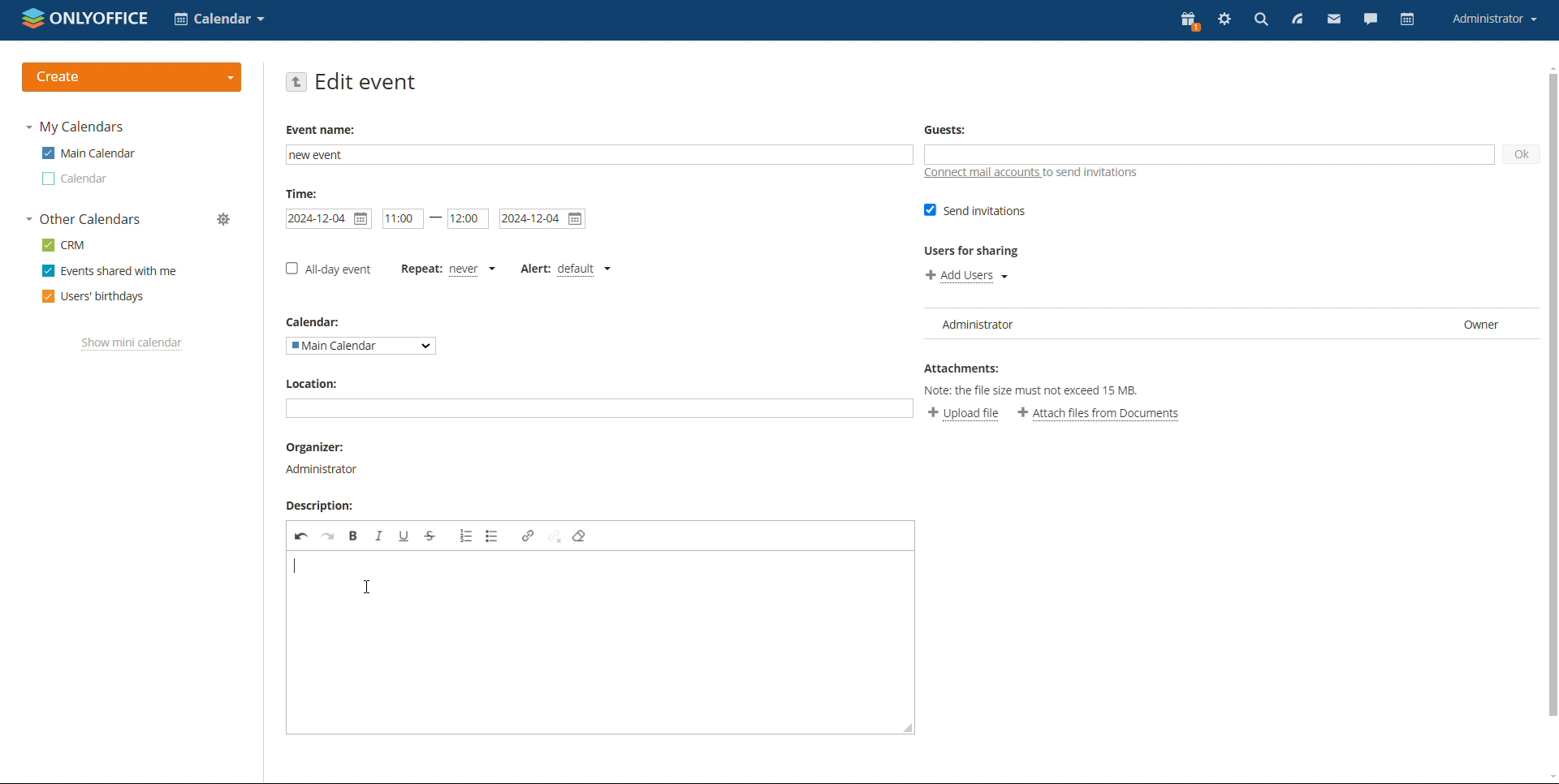 The height and width of the screenshot is (784, 1559). What do you see at coordinates (1549, 776) in the screenshot?
I see `scroll down` at bounding box center [1549, 776].